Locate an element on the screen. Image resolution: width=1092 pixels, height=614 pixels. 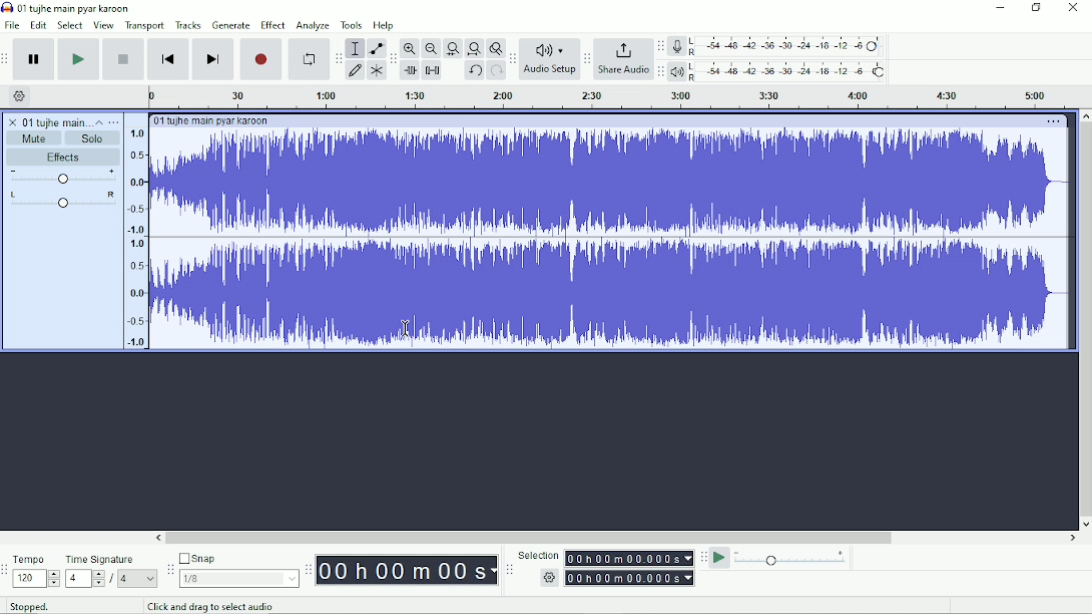
Selection is located at coordinates (604, 567).